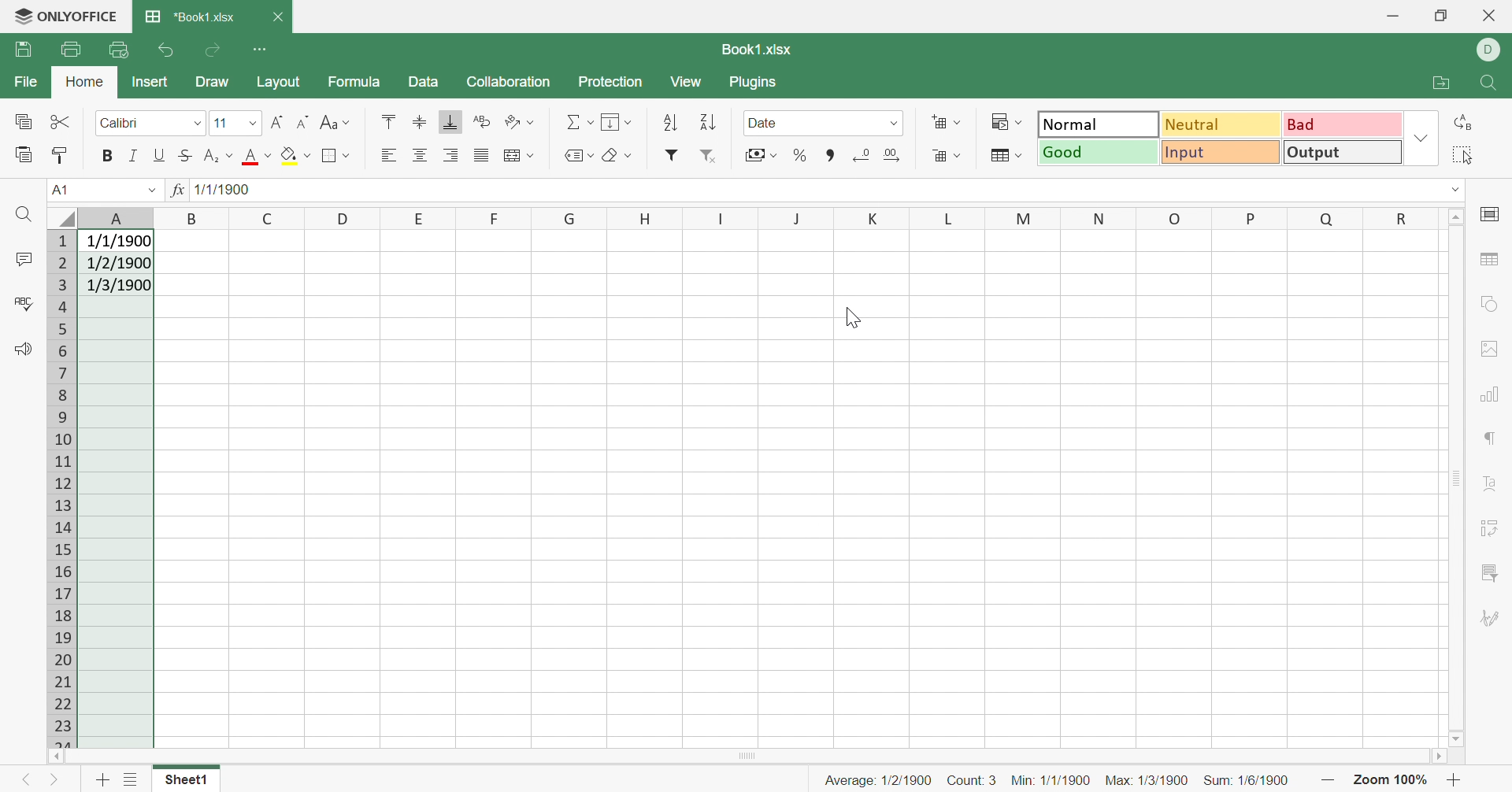 Image resolution: width=1512 pixels, height=792 pixels. I want to click on Fill color, so click(295, 154).